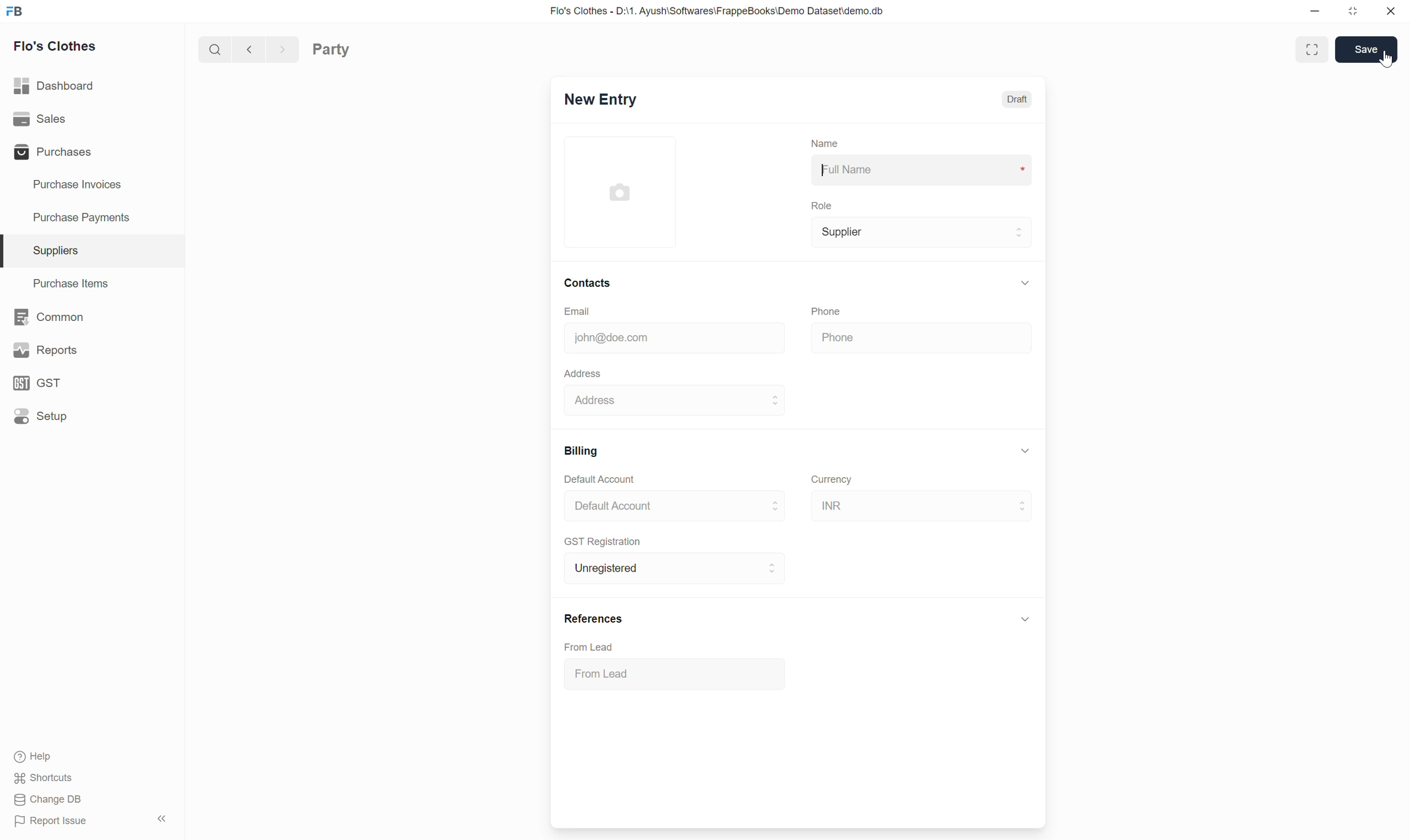 This screenshot has width=1410, height=840. Describe the element at coordinates (675, 338) in the screenshot. I see `john@doe.com` at that location.